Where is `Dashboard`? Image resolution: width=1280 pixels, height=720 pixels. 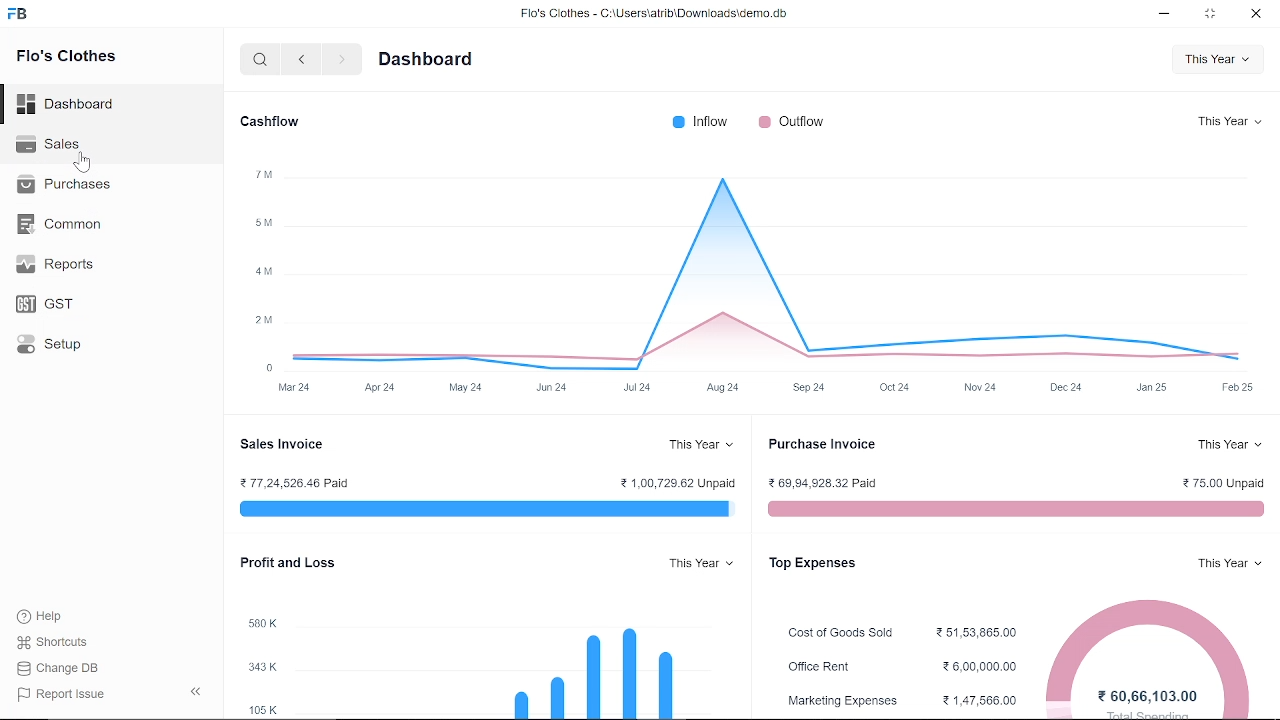 Dashboard is located at coordinates (430, 62).